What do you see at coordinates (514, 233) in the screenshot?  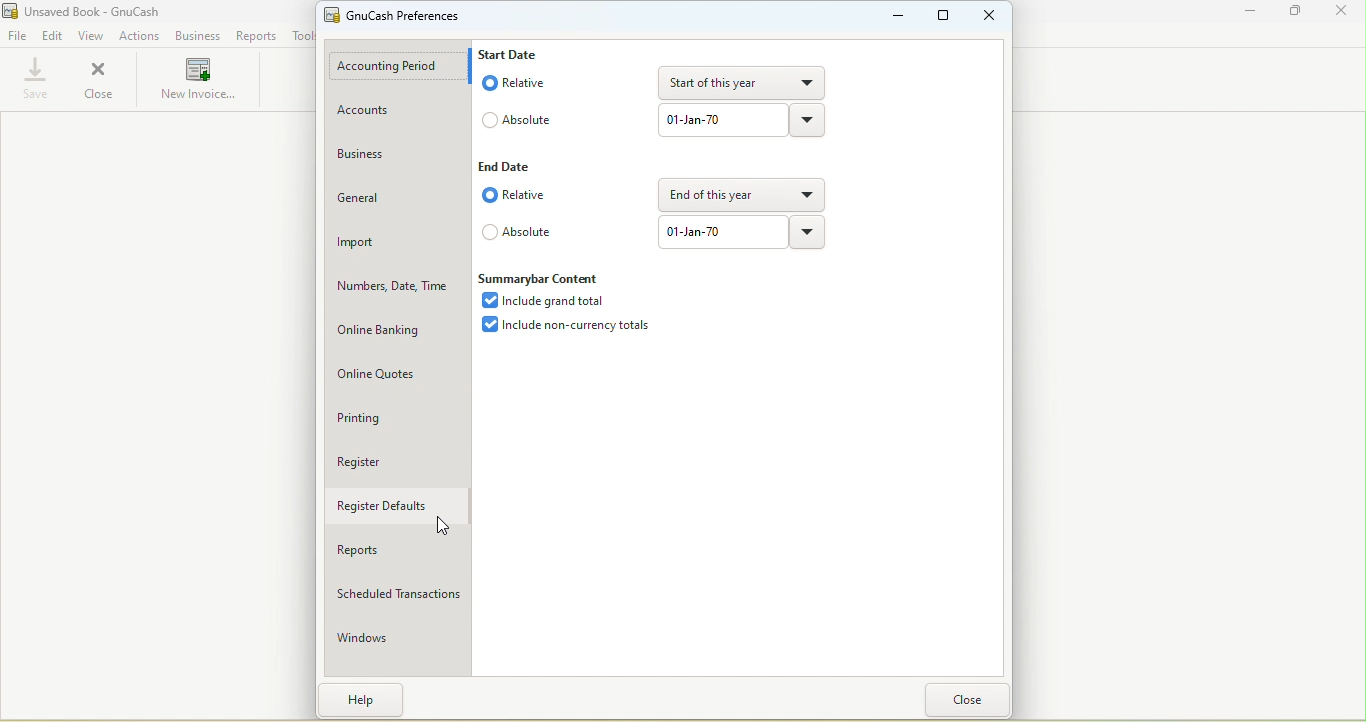 I see `Absolute` at bounding box center [514, 233].